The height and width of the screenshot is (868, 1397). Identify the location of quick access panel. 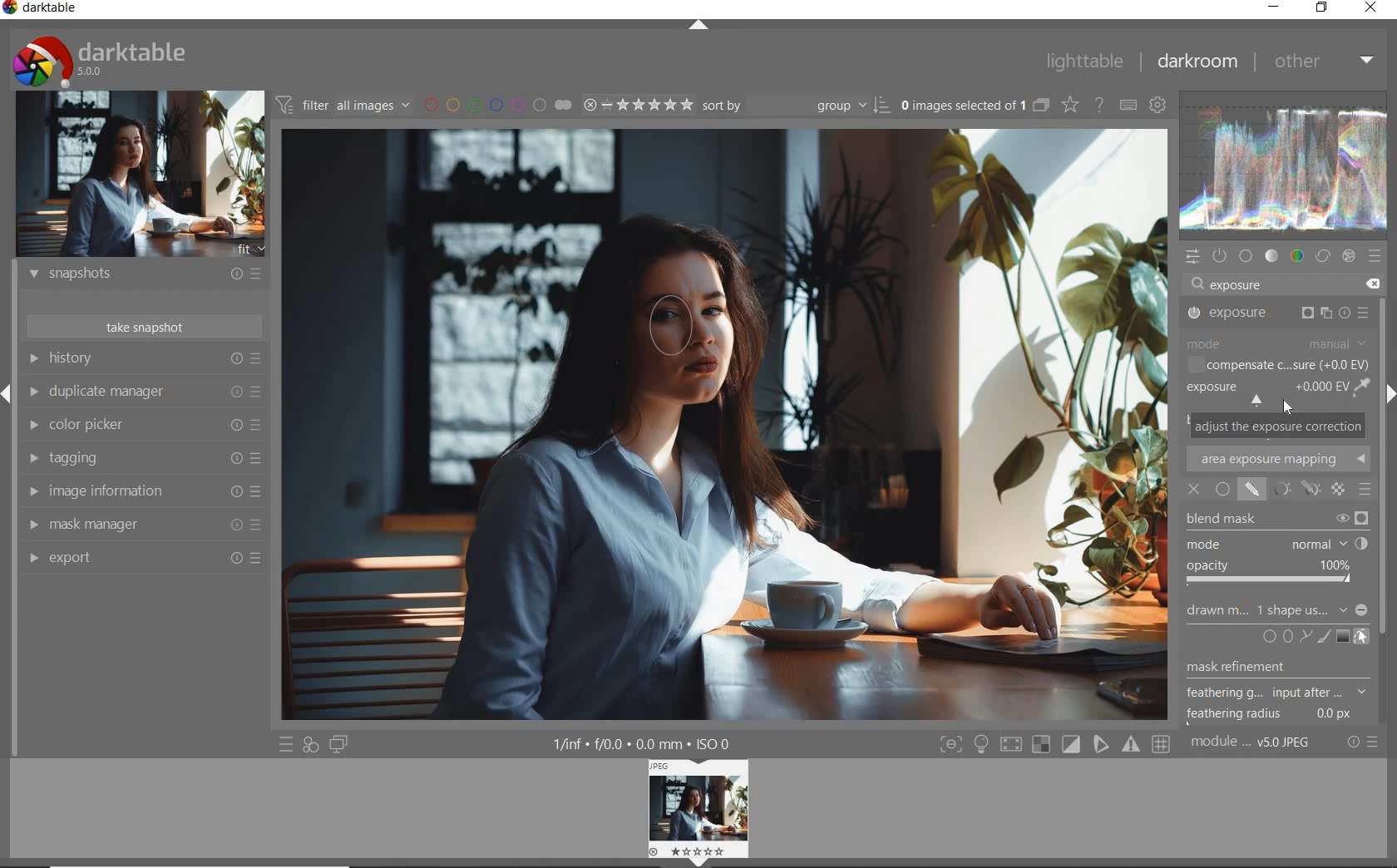
(1193, 257).